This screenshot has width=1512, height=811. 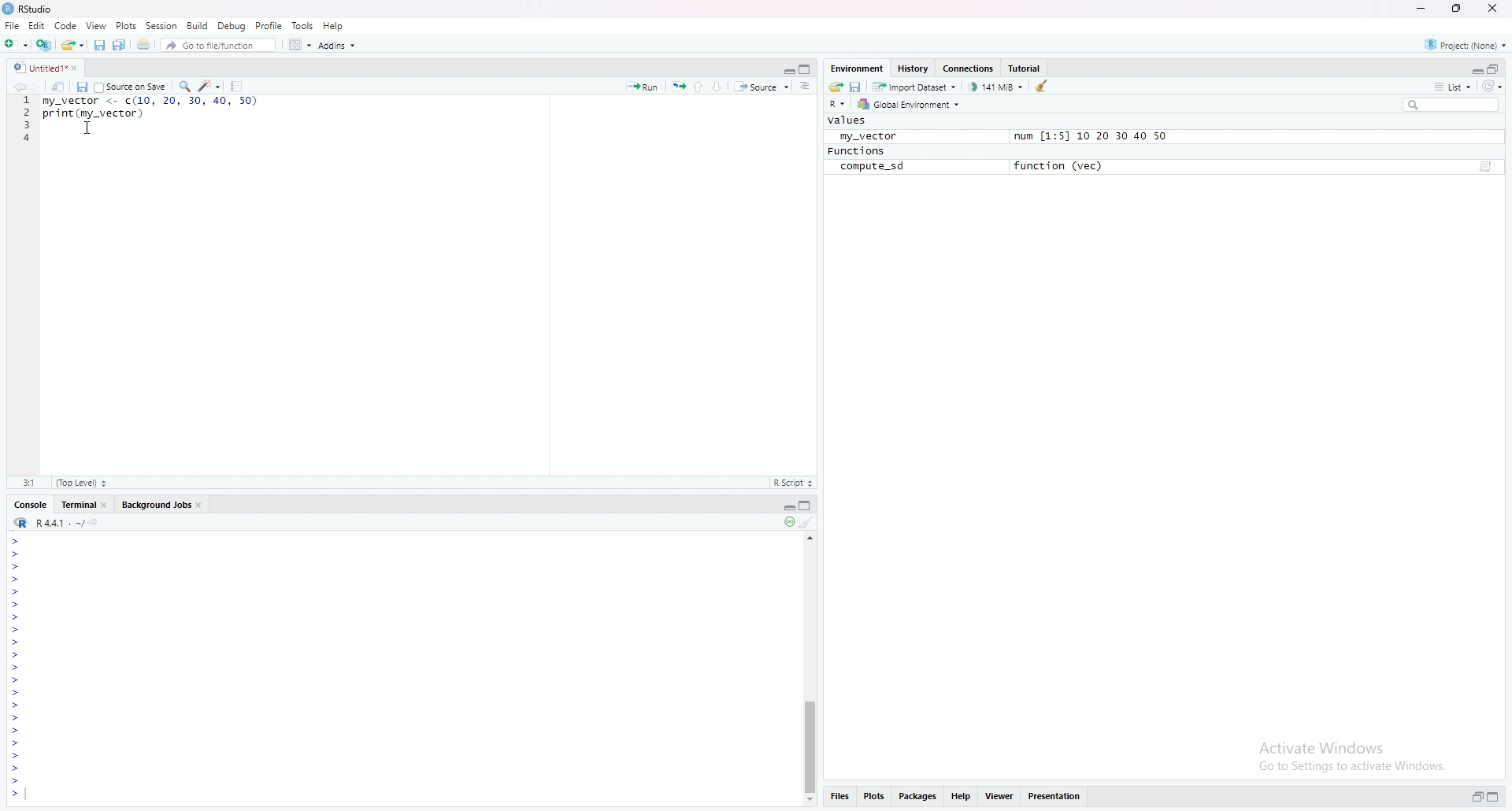 What do you see at coordinates (997, 796) in the screenshot?
I see `Viewer` at bounding box center [997, 796].